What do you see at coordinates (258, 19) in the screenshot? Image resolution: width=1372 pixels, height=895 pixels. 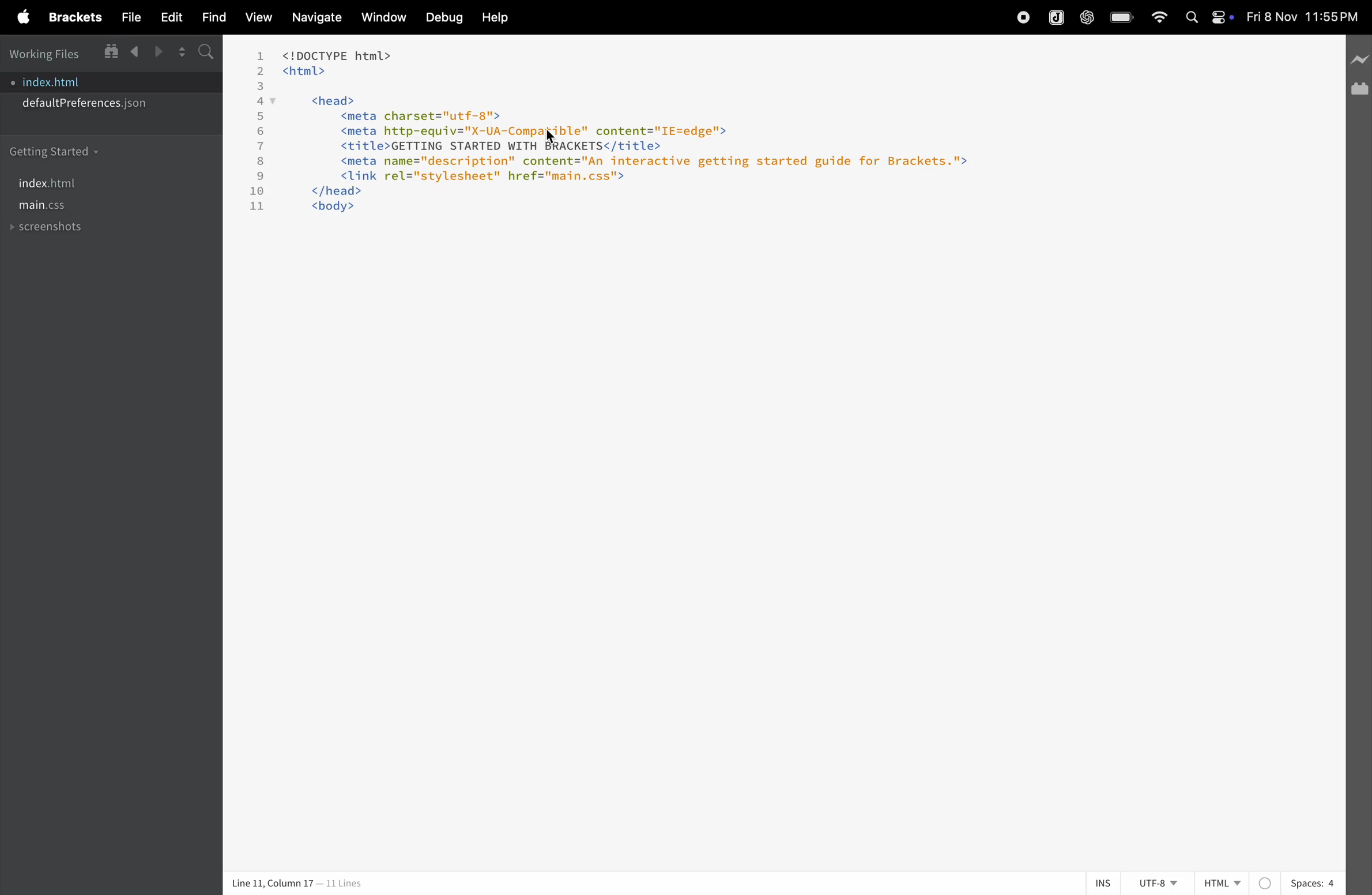 I see `view` at bounding box center [258, 19].